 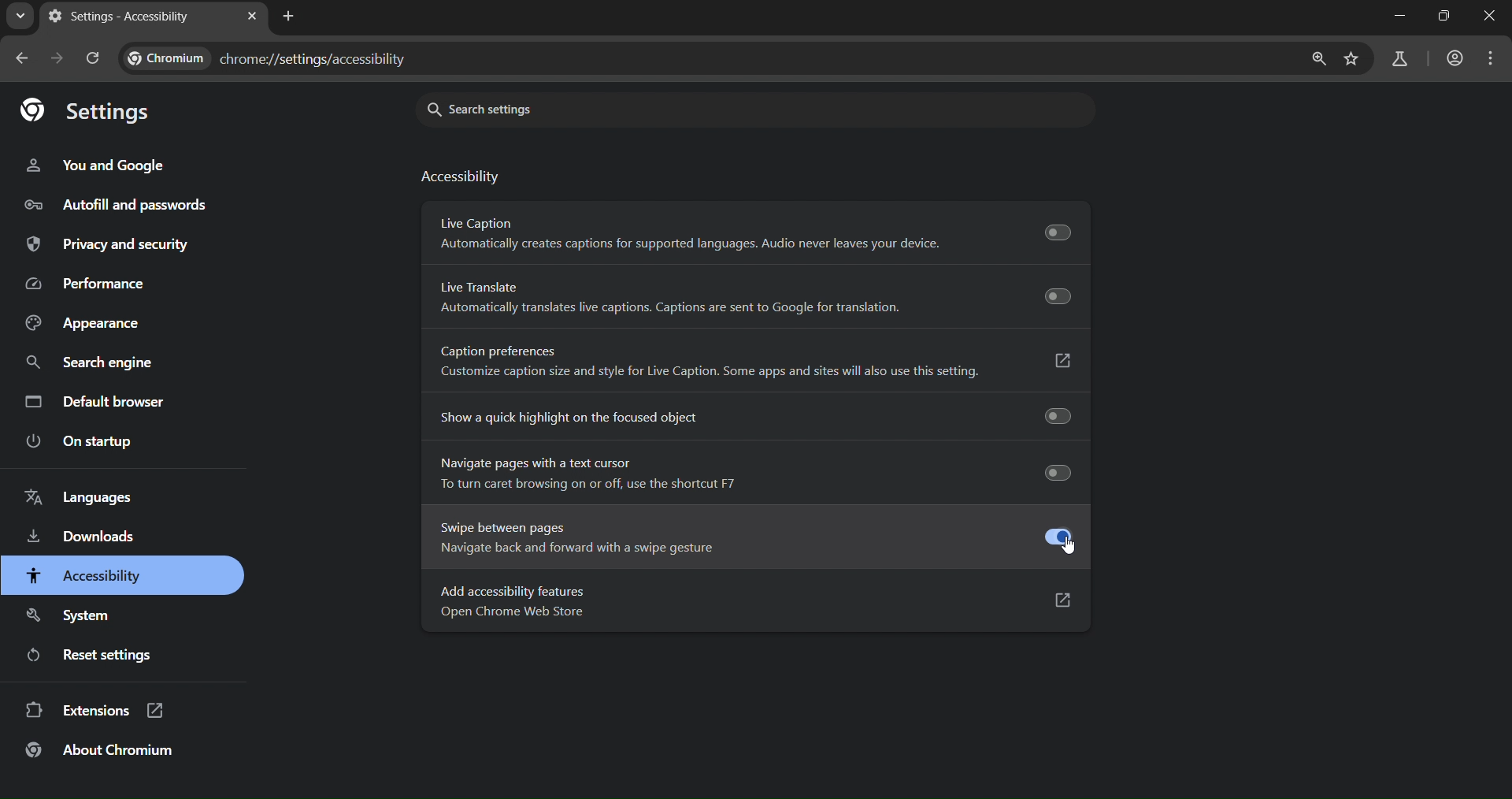 I want to click on extensions, so click(x=96, y=713).